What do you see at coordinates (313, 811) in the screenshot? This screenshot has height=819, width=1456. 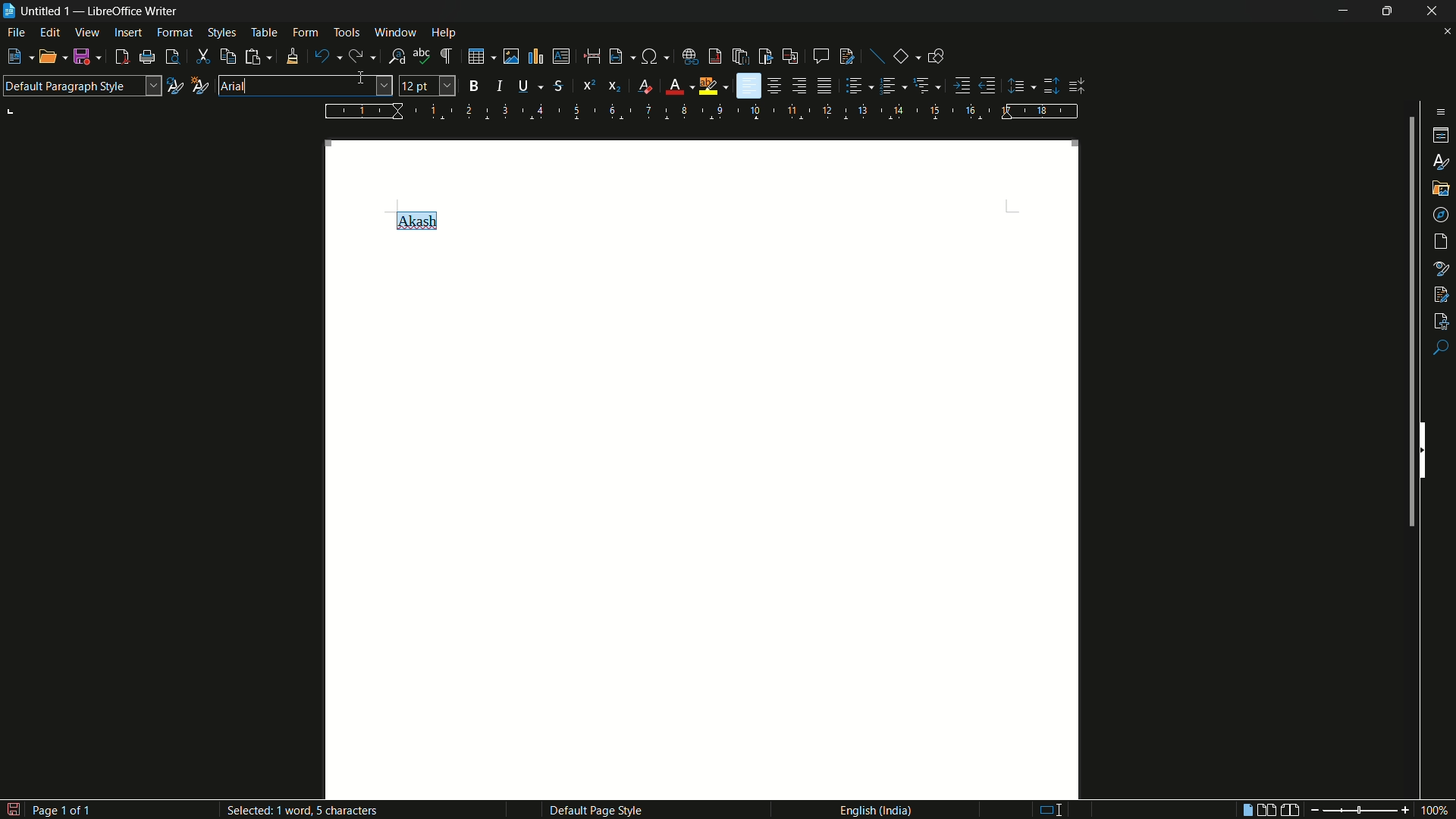 I see `words and characters` at bounding box center [313, 811].